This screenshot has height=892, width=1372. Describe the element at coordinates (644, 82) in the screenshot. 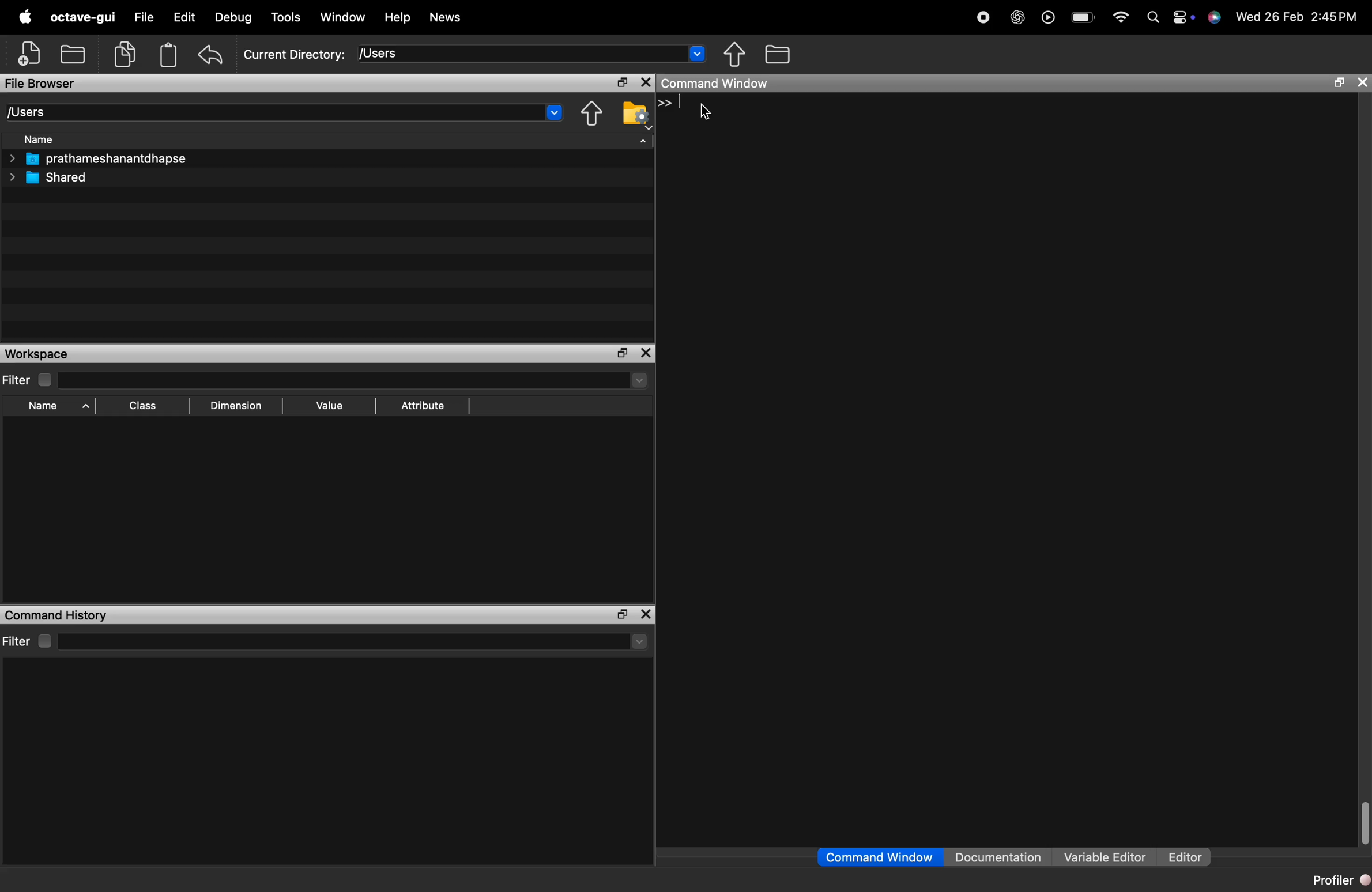

I see `close` at that location.